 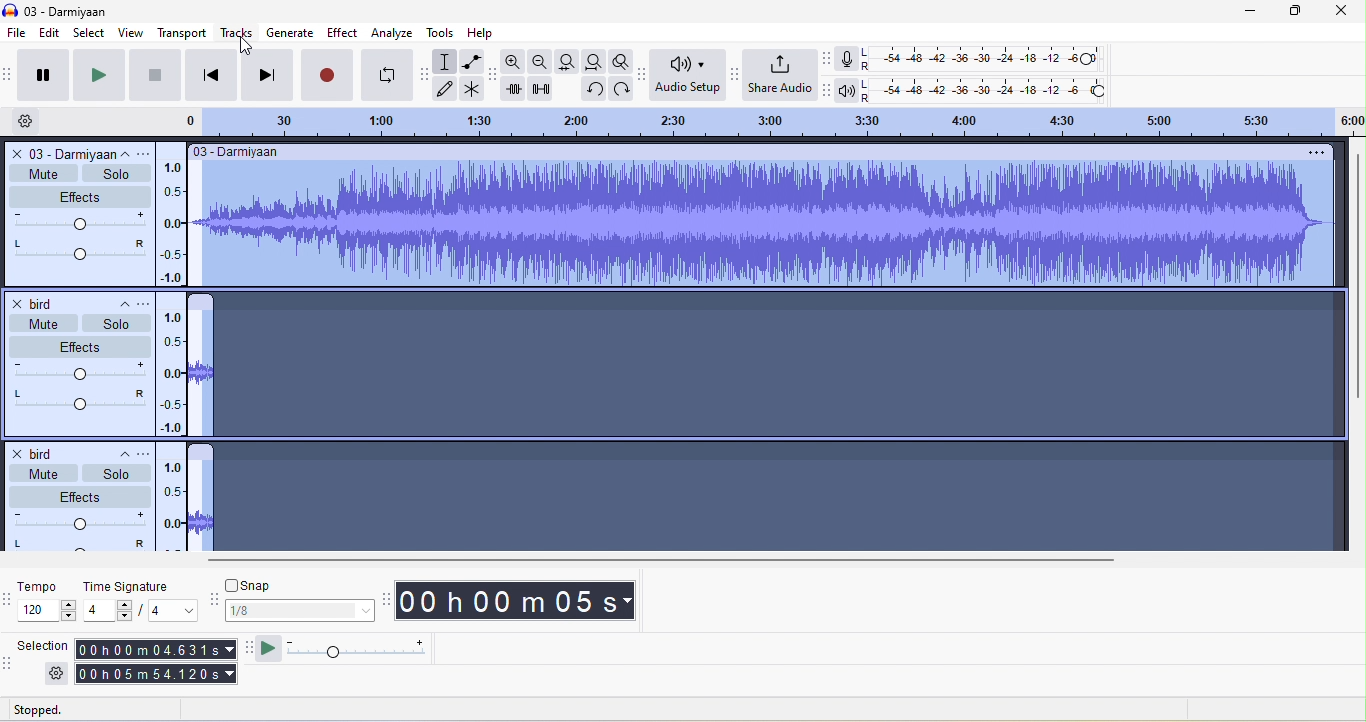 I want to click on tools, so click(x=441, y=32).